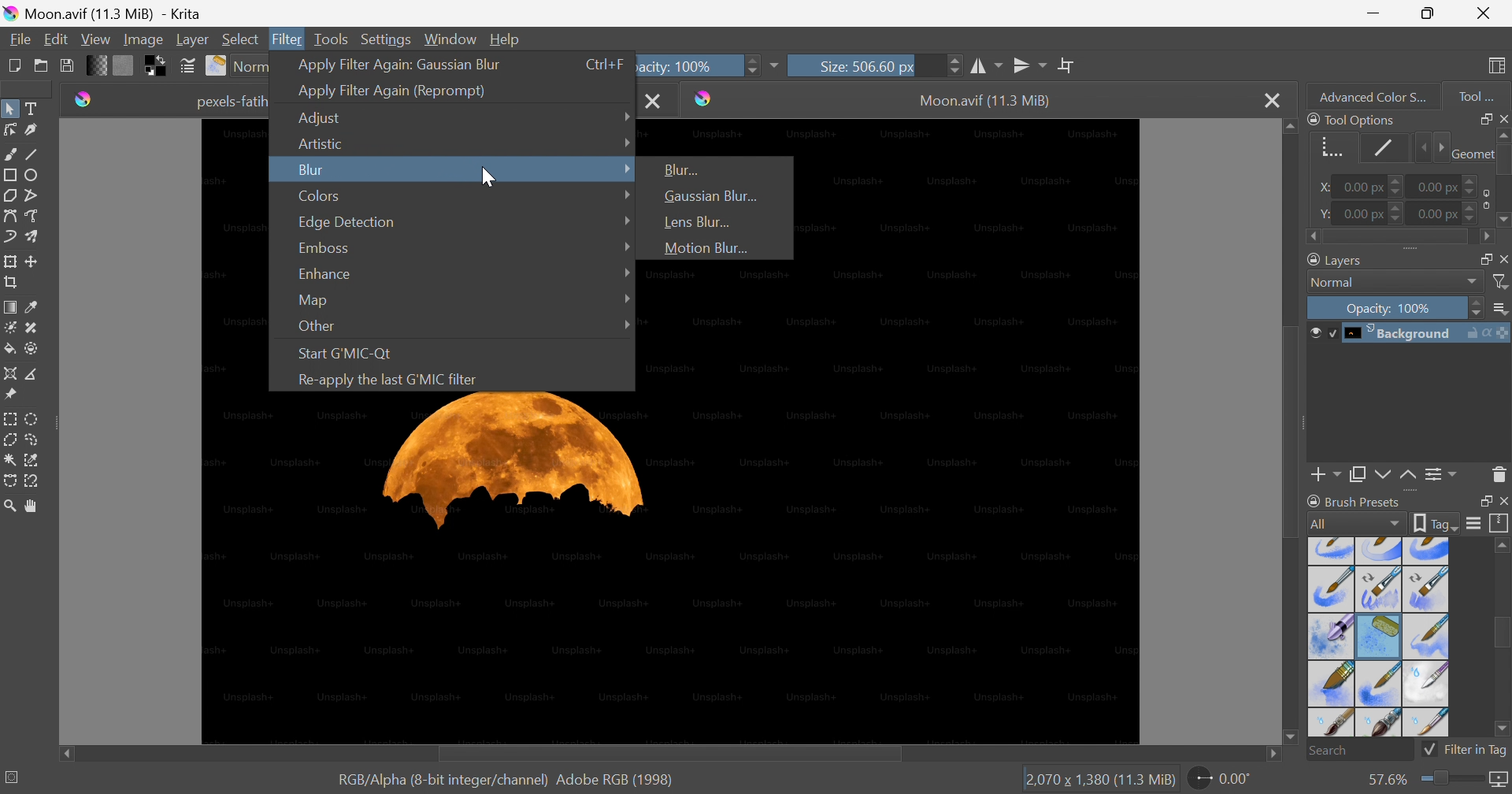  Describe the element at coordinates (311, 299) in the screenshot. I see `Map` at that location.